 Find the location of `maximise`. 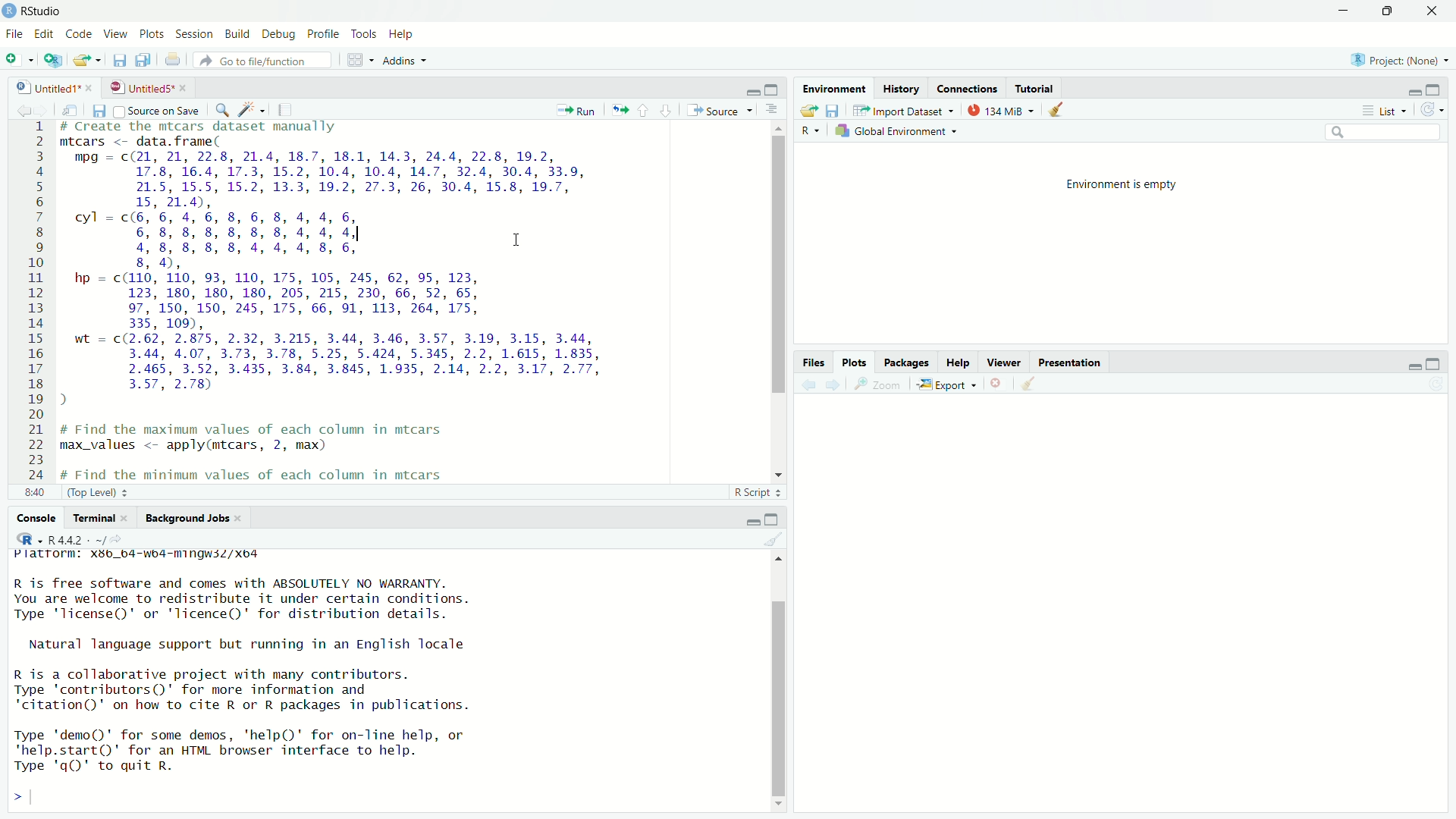

maximise is located at coordinates (772, 517).